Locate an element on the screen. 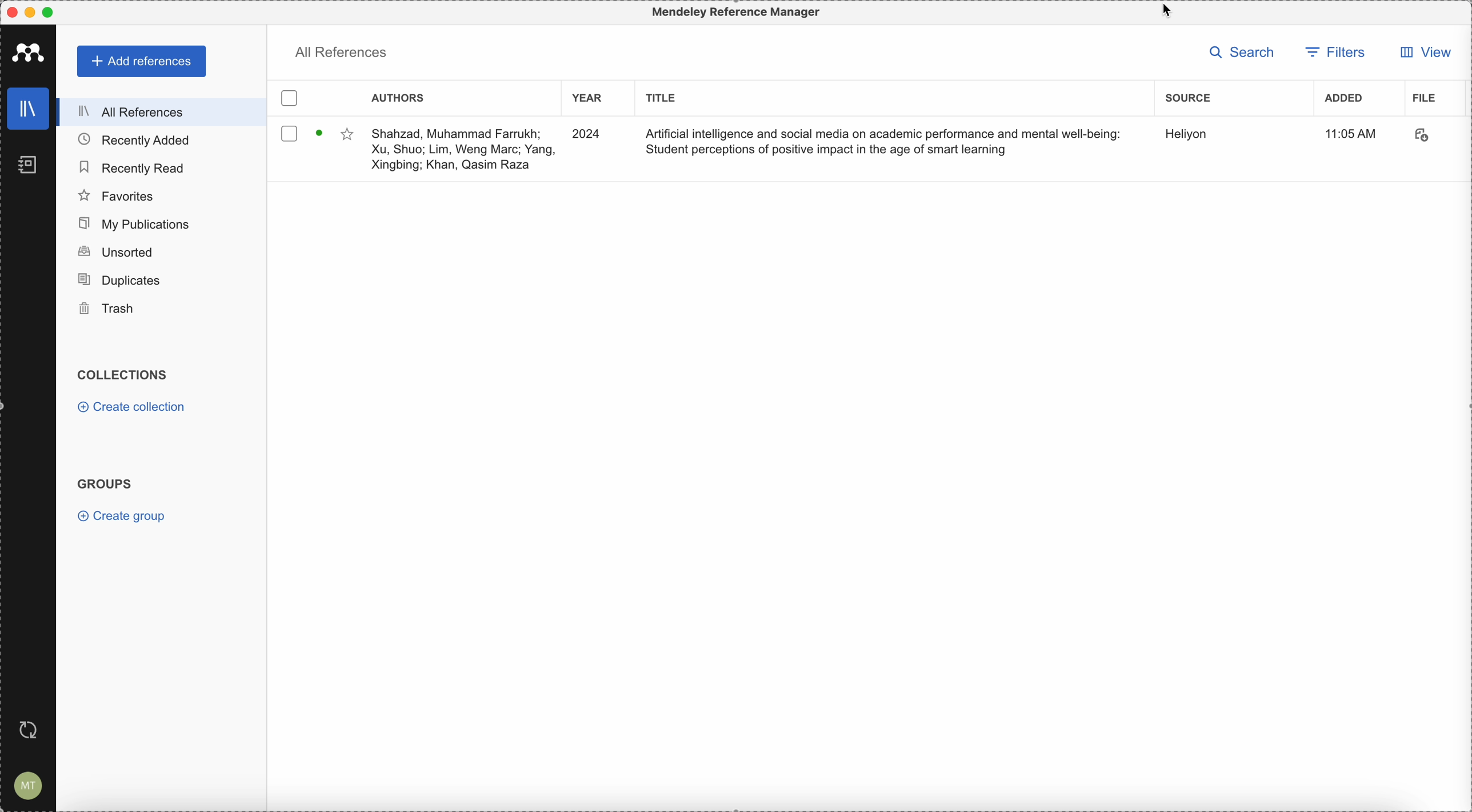  add references is located at coordinates (141, 61).